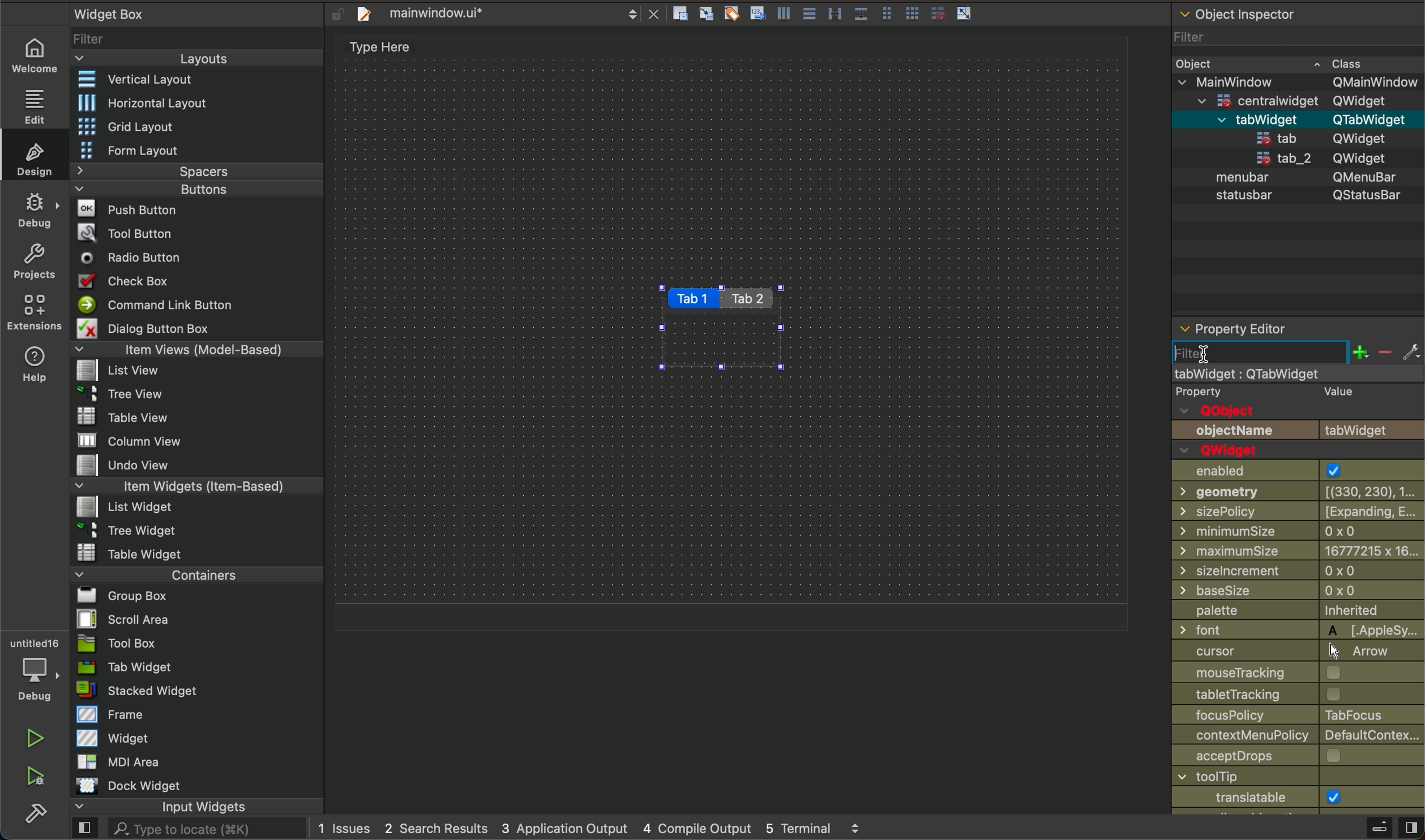 This screenshot has width=1425, height=840. What do you see at coordinates (1286, 326) in the screenshot?
I see `property editor` at bounding box center [1286, 326].